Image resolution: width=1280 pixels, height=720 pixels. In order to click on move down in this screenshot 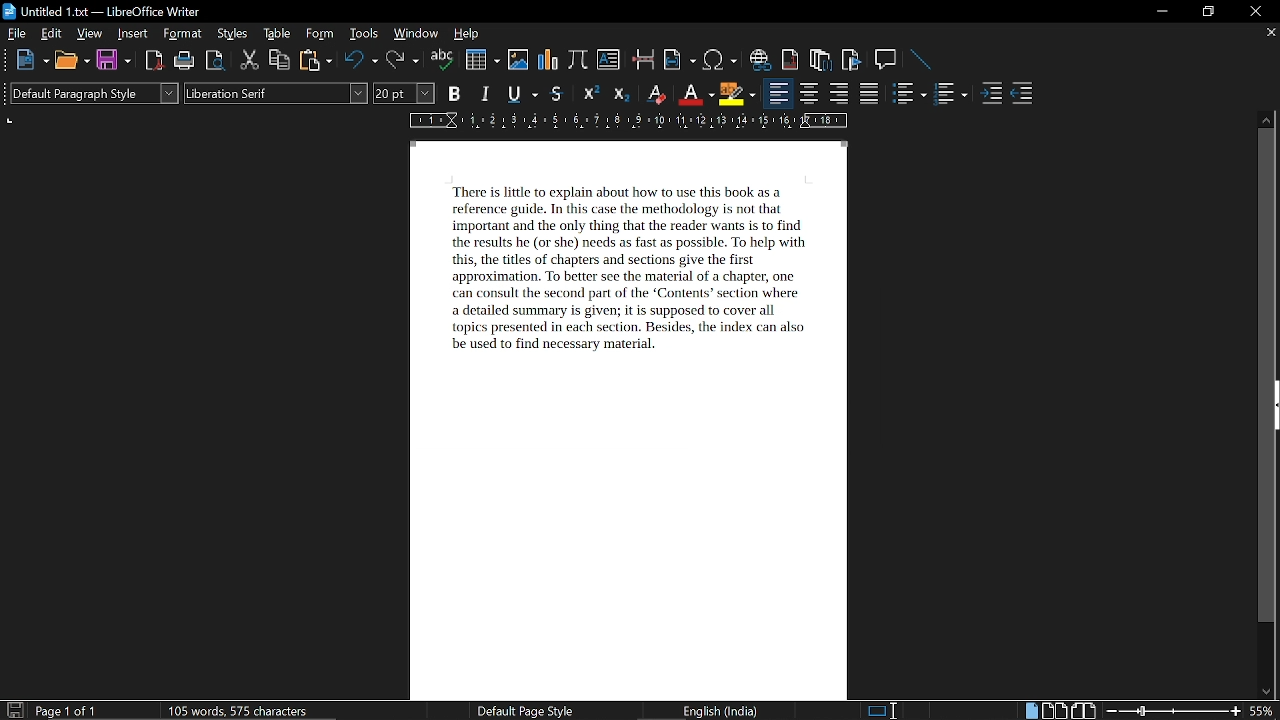, I will do `click(1262, 692)`.